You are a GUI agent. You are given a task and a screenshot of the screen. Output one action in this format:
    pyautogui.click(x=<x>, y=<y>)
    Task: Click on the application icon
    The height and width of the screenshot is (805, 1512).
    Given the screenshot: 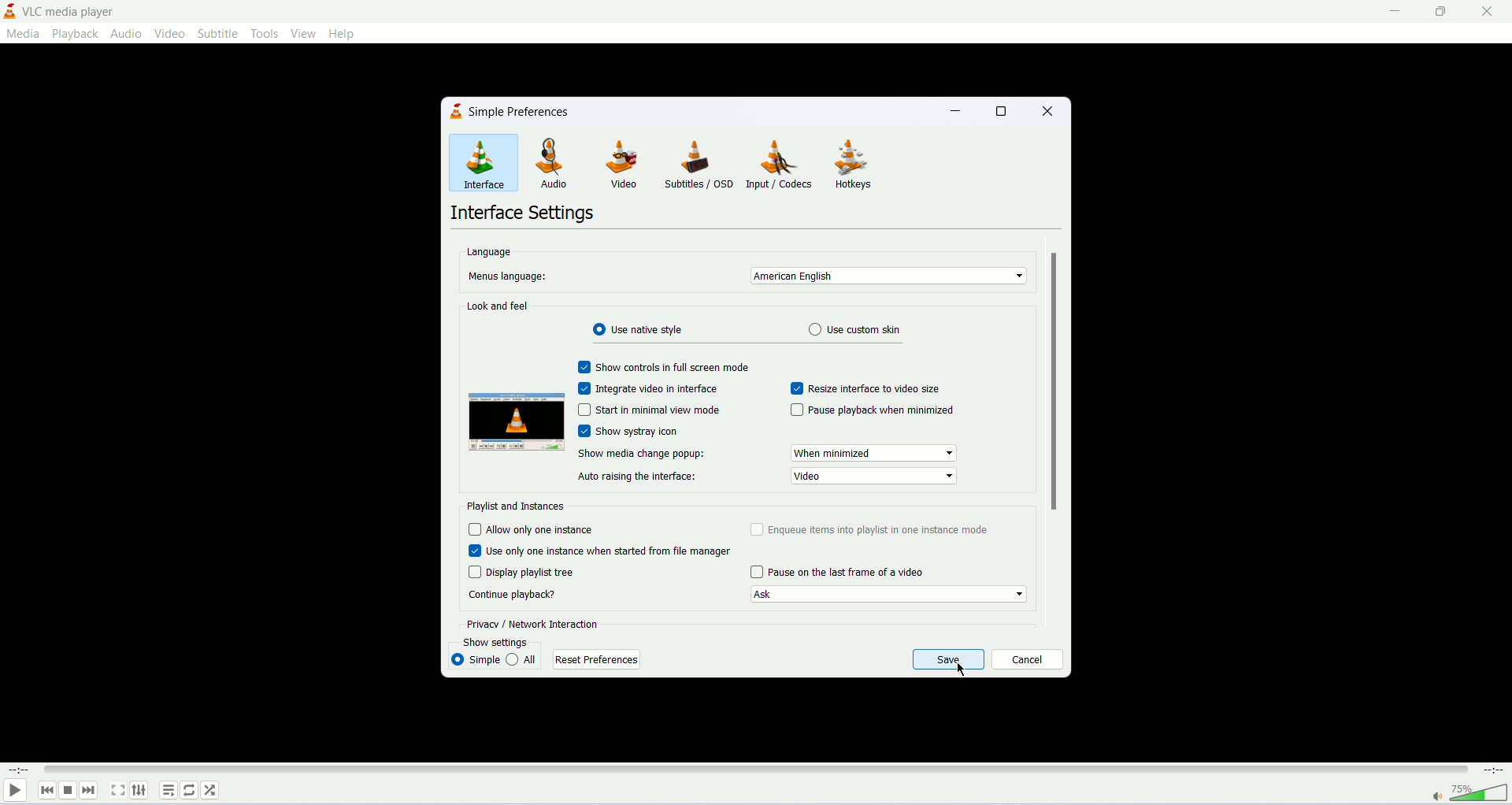 What is the action you would take?
    pyautogui.click(x=11, y=12)
    